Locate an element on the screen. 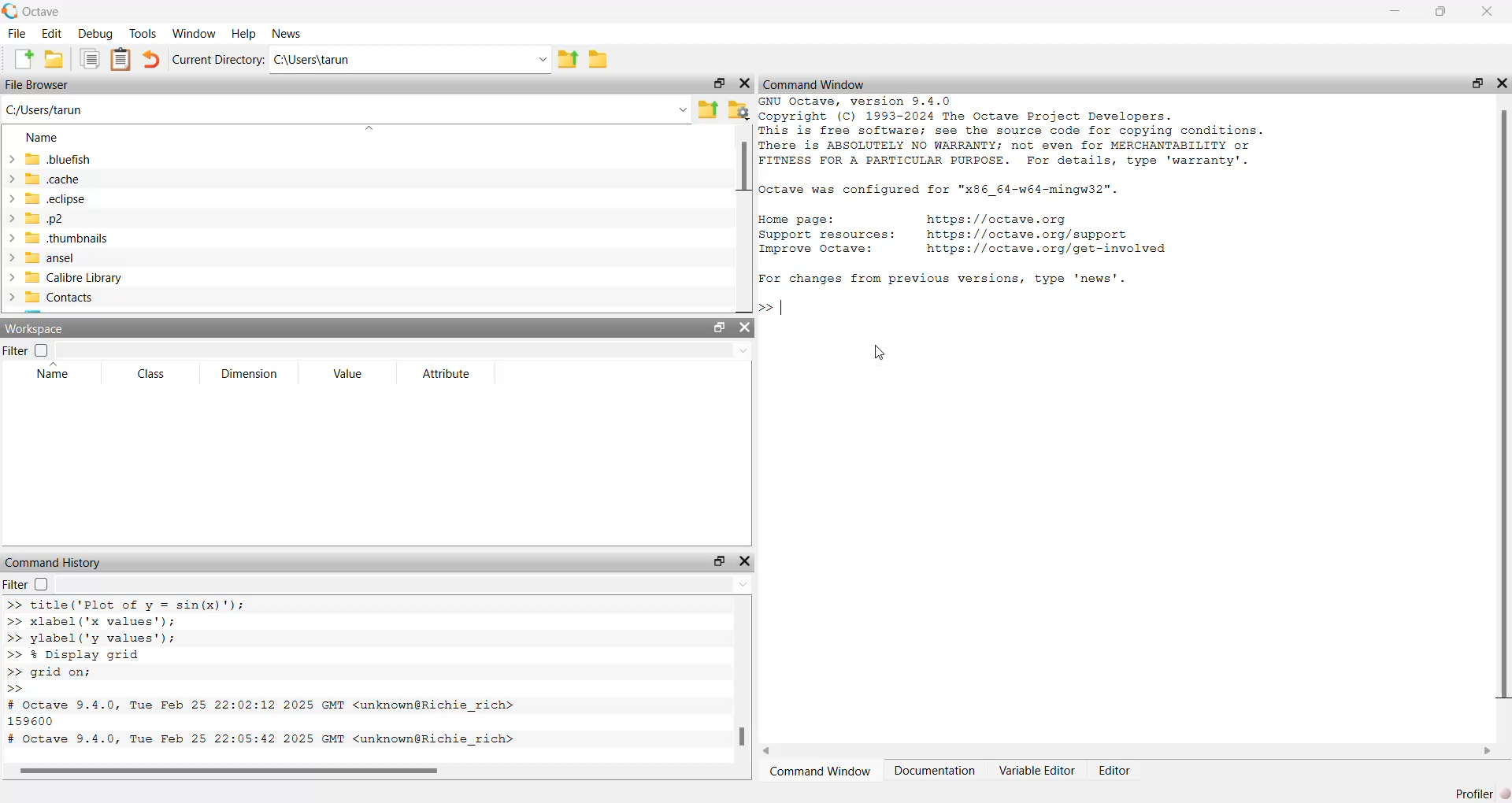 The height and width of the screenshot is (803, 1512). >> % Display grid is located at coordinates (75, 655).